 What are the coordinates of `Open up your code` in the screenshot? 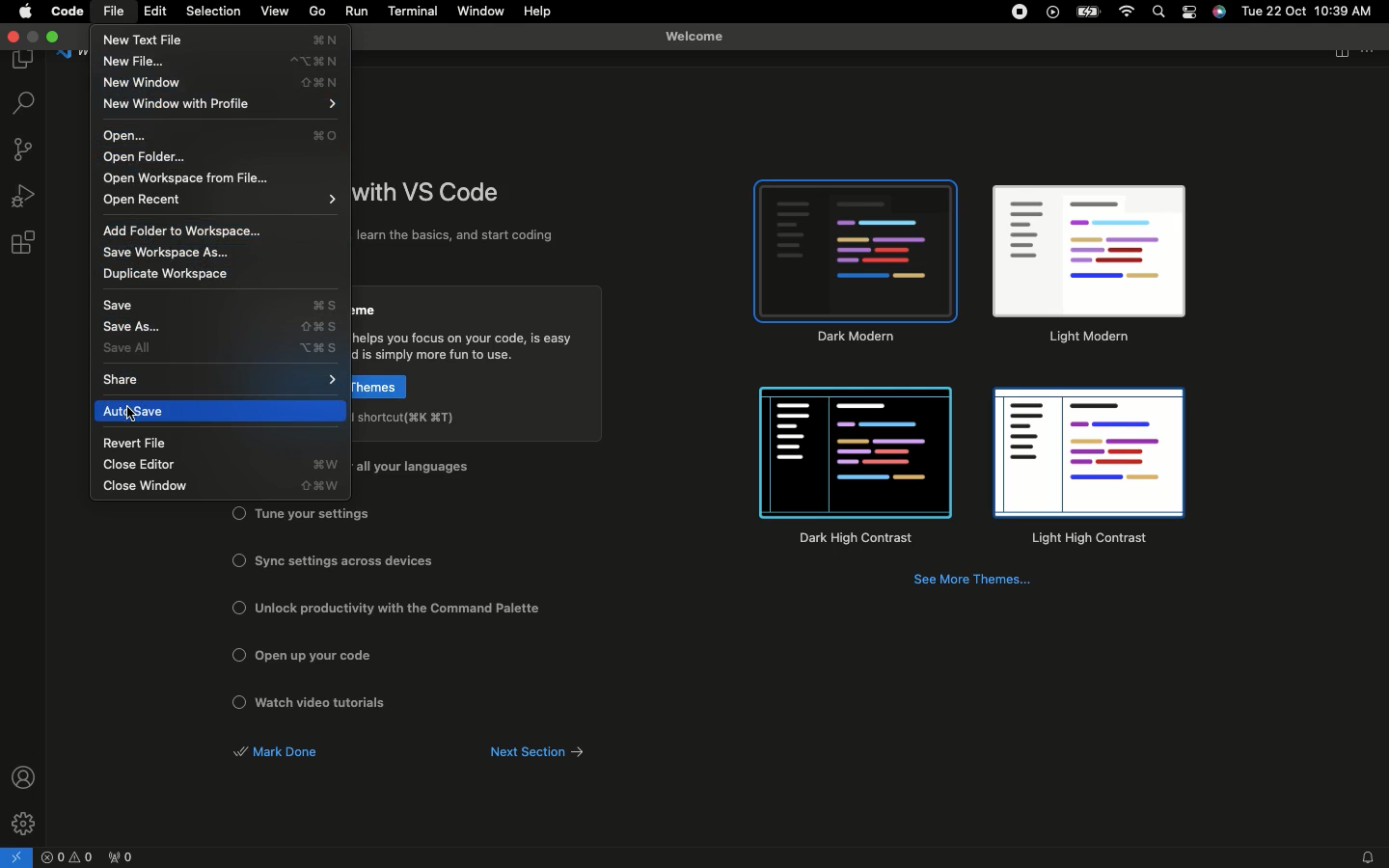 It's located at (325, 656).